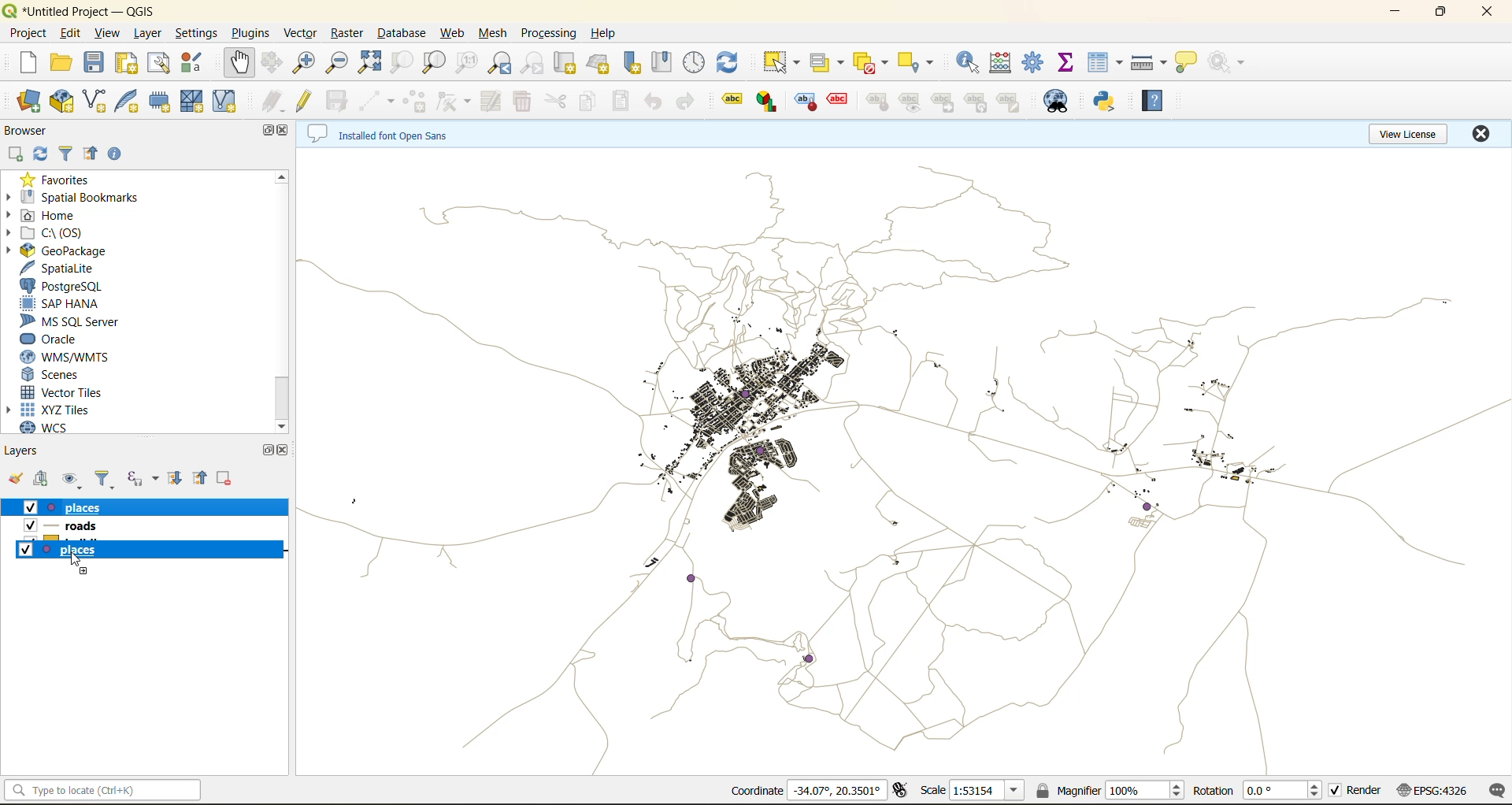 This screenshot has width=1512, height=805. What do you see at coordinates (306, 101) in the screenshot?
I see `toggle edits` at bounding box center [306, 101].